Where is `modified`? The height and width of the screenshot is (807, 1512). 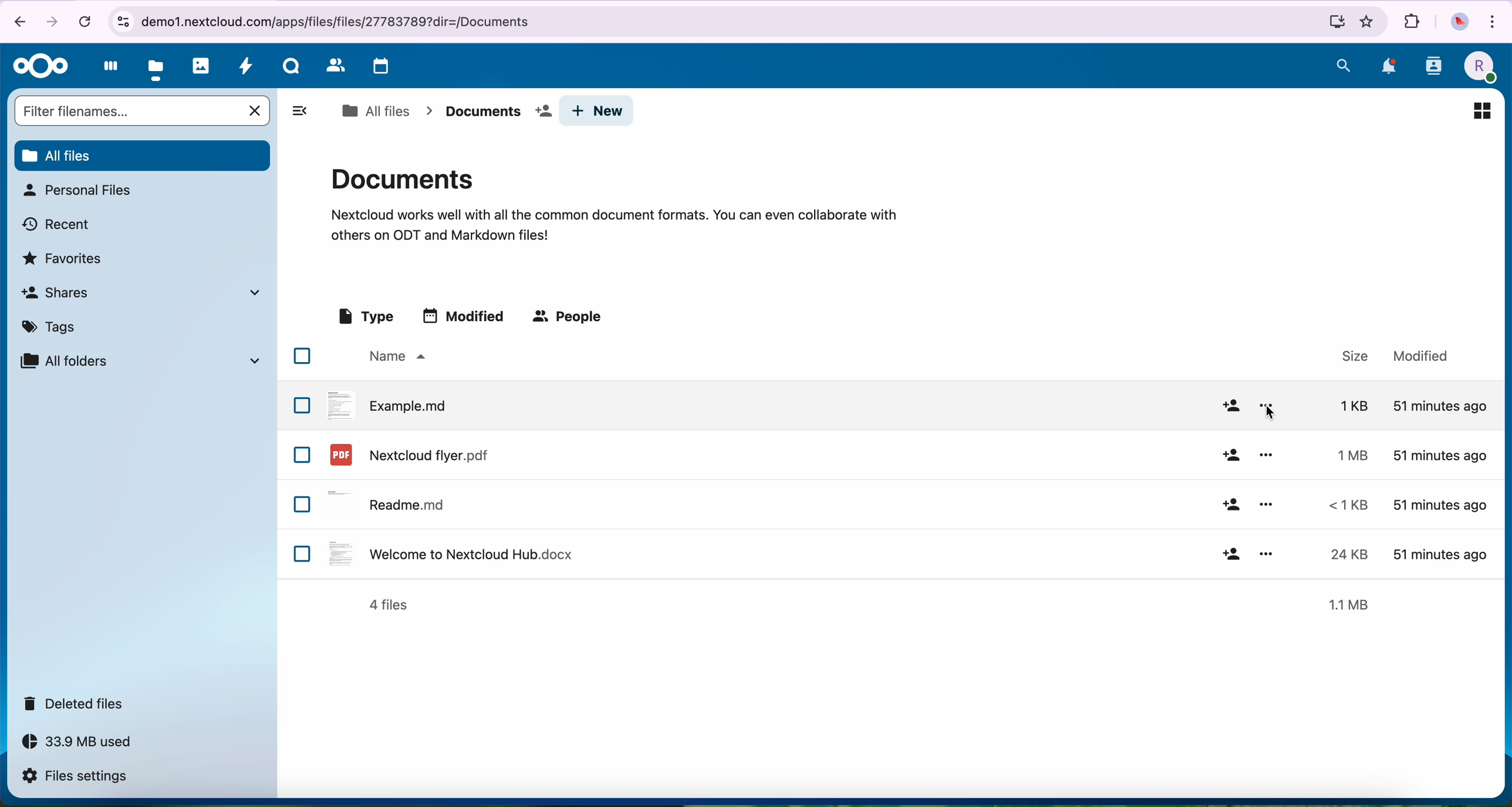 modified is located at coordinates (1440, 404).